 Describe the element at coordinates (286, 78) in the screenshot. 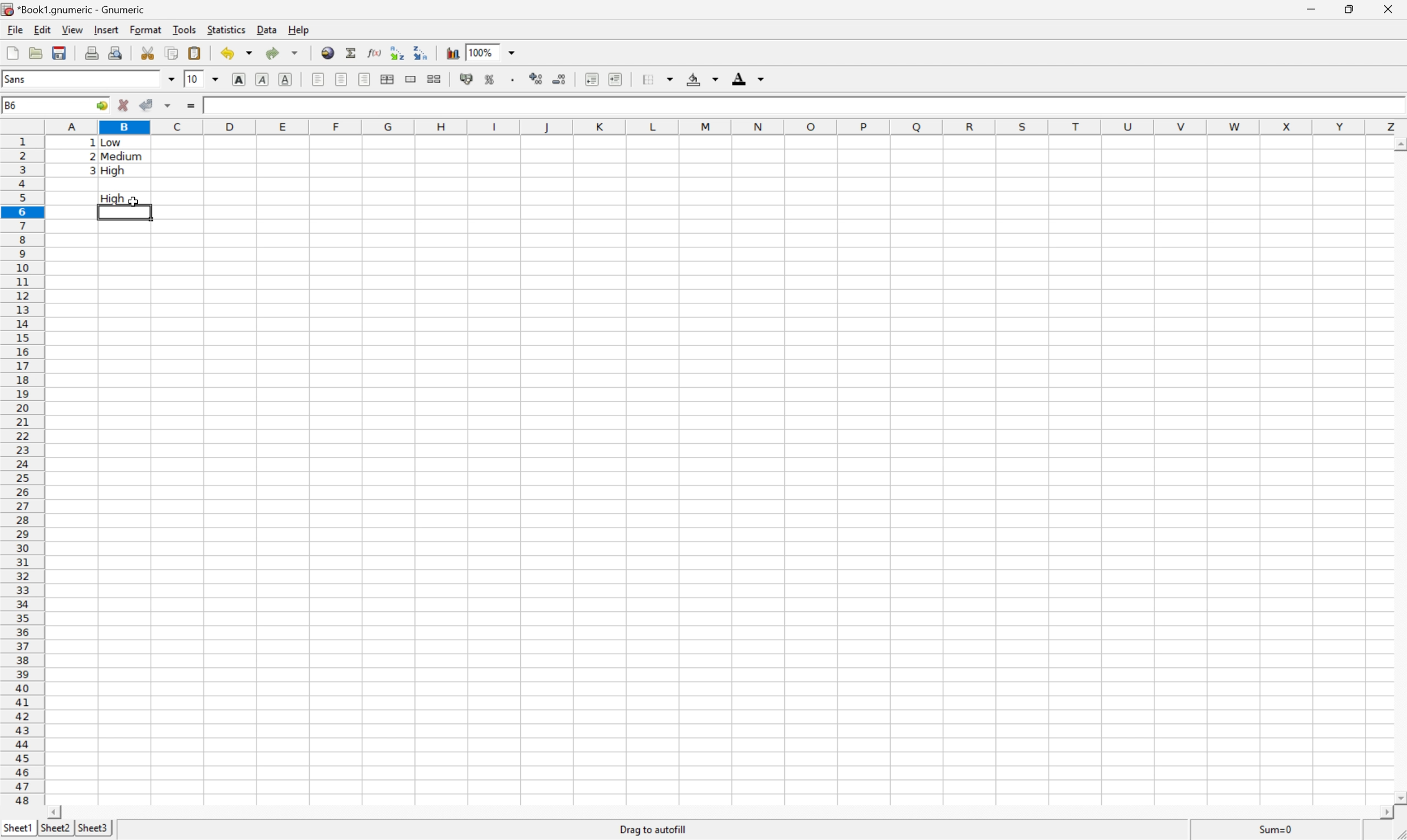

I see `Underline` at that location.